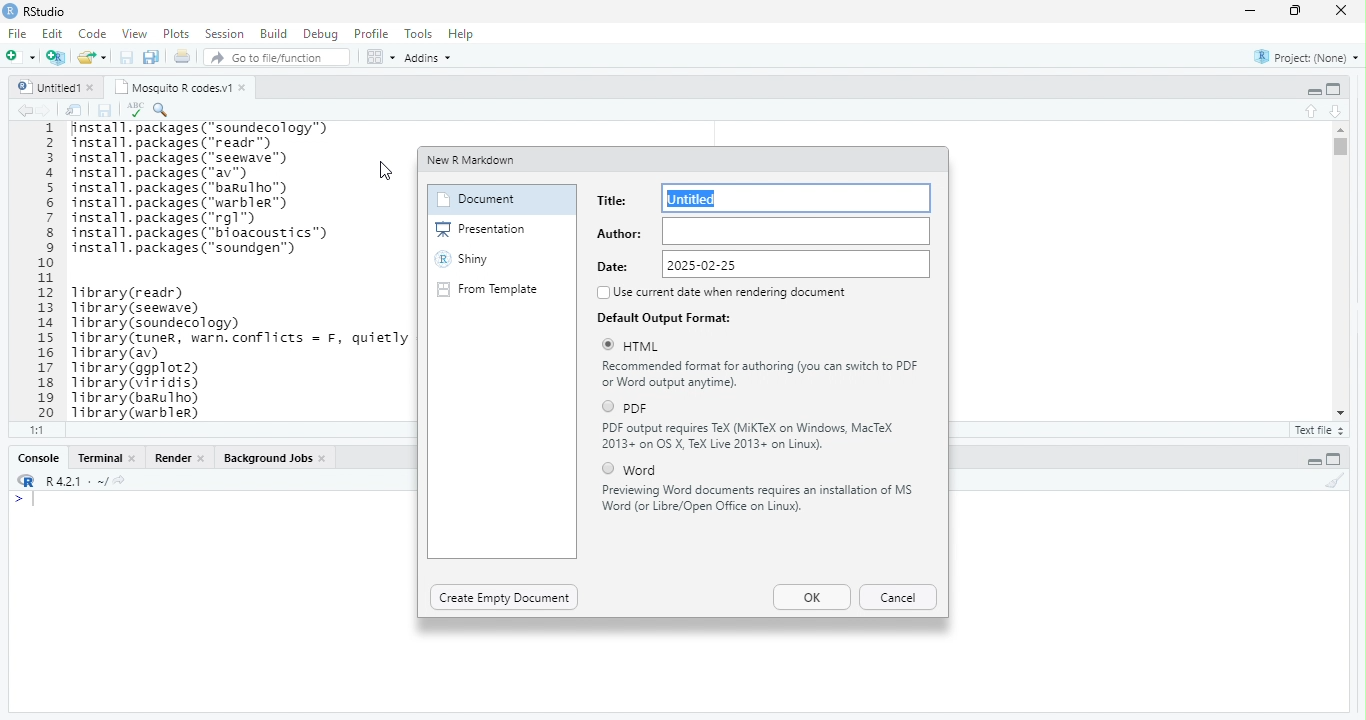 This screenshot has height=720, width=1366. What do you see at coordinates (57, 57) in the screenshot?
I see `add file` at bounding box center [57, 57].